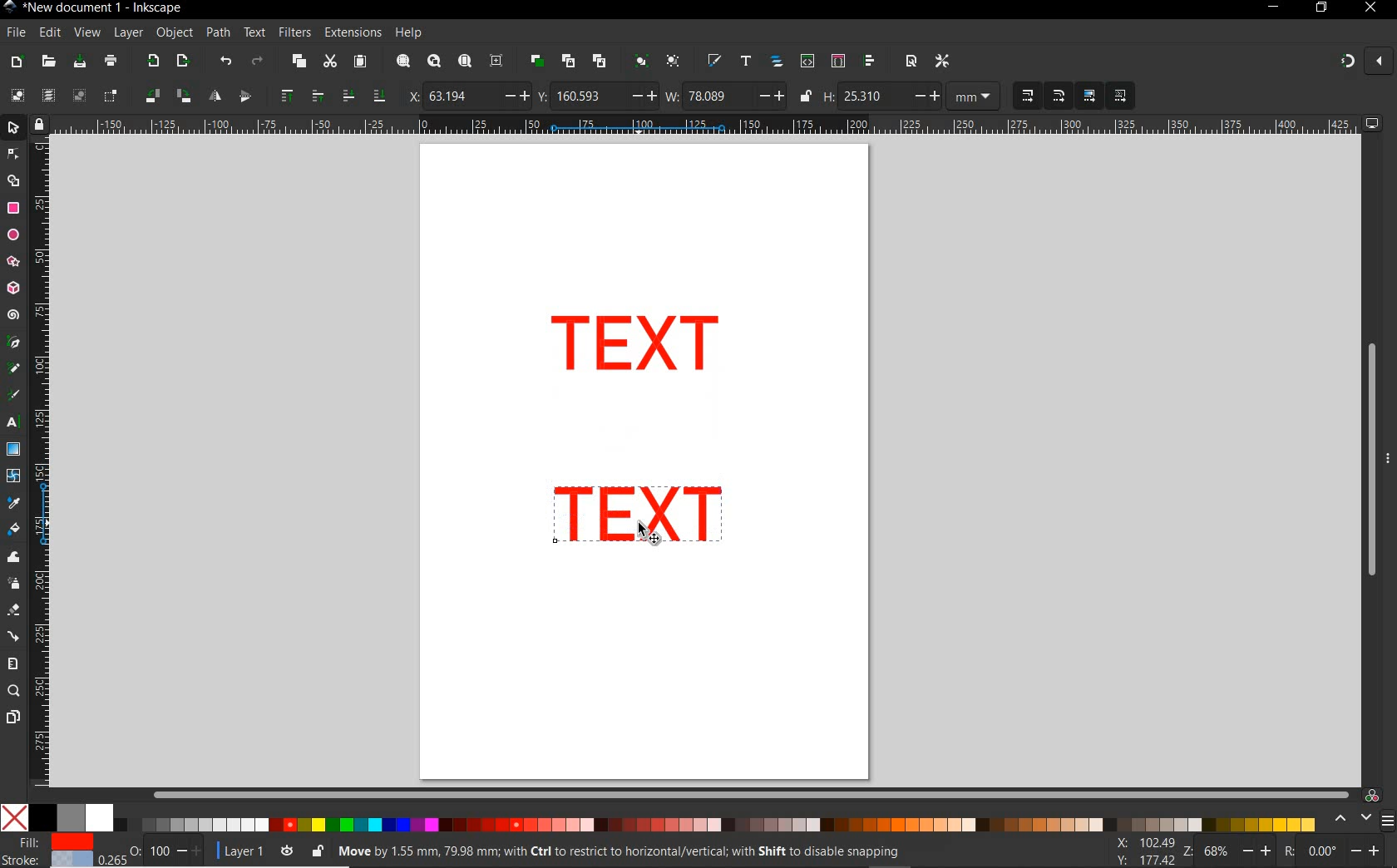 This screenshot has height=868, width=1397. Describe the element at coordinates (537, 61) in the screenshot. I see `duplicate` at that location.